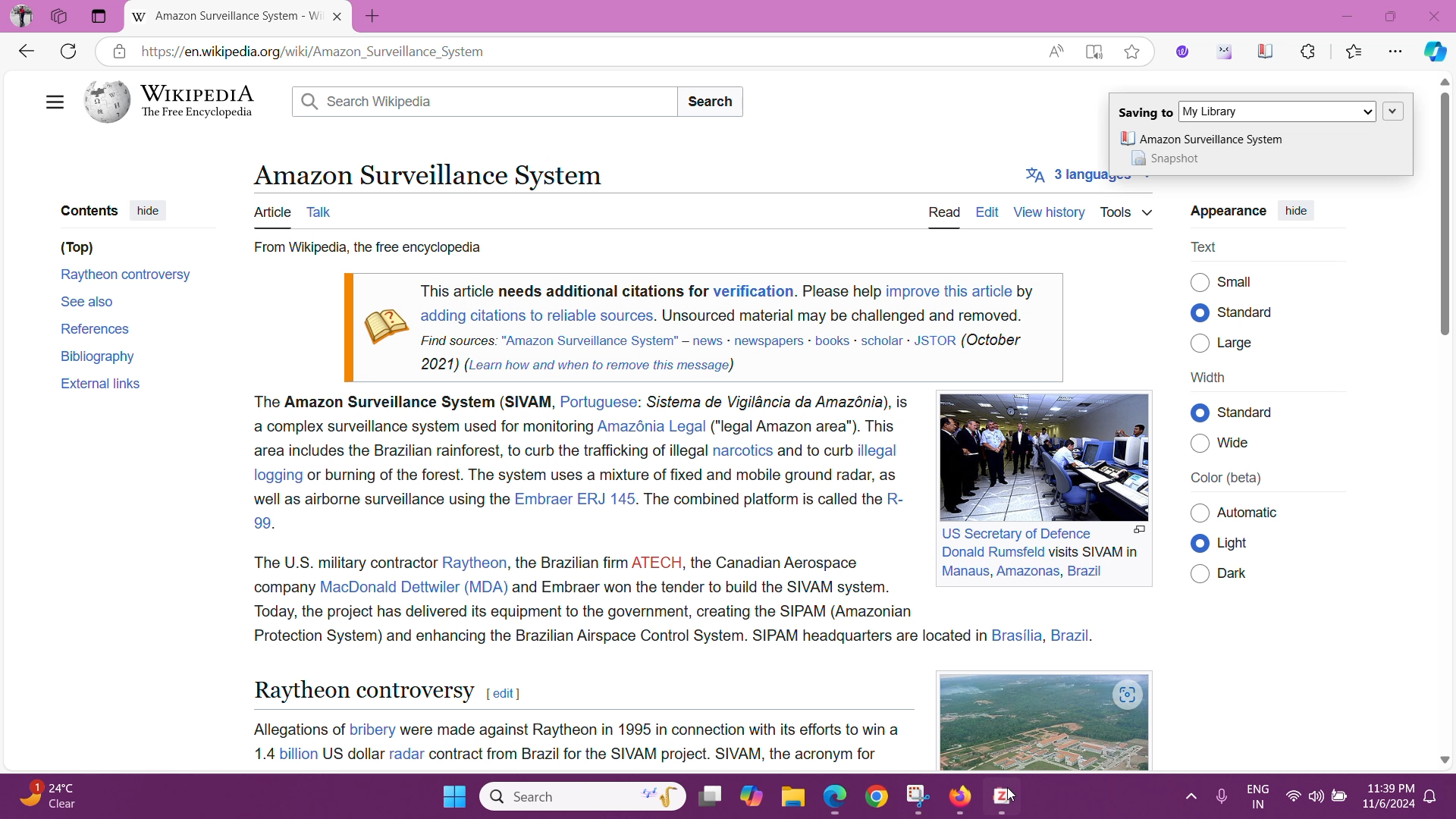 The width and height of the screenshot is (1456, 819). What do you see at coordinates (413, 586) in the screenshot?
I see `MacDonald Dettwiler (MDA)` at bounding box center [413, 586].